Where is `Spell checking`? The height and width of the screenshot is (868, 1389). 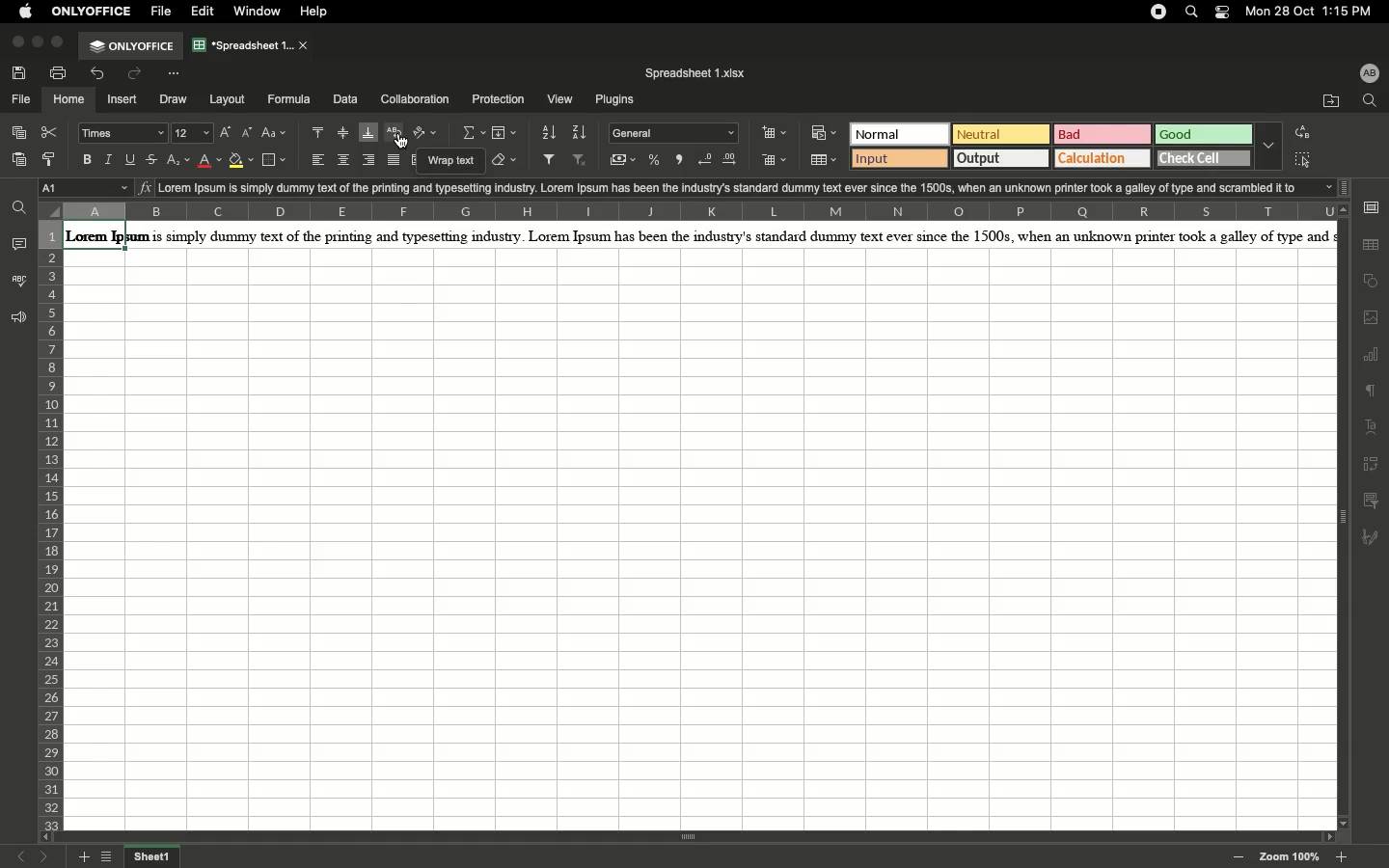 Spell checking is located at coordinates (18, 281).